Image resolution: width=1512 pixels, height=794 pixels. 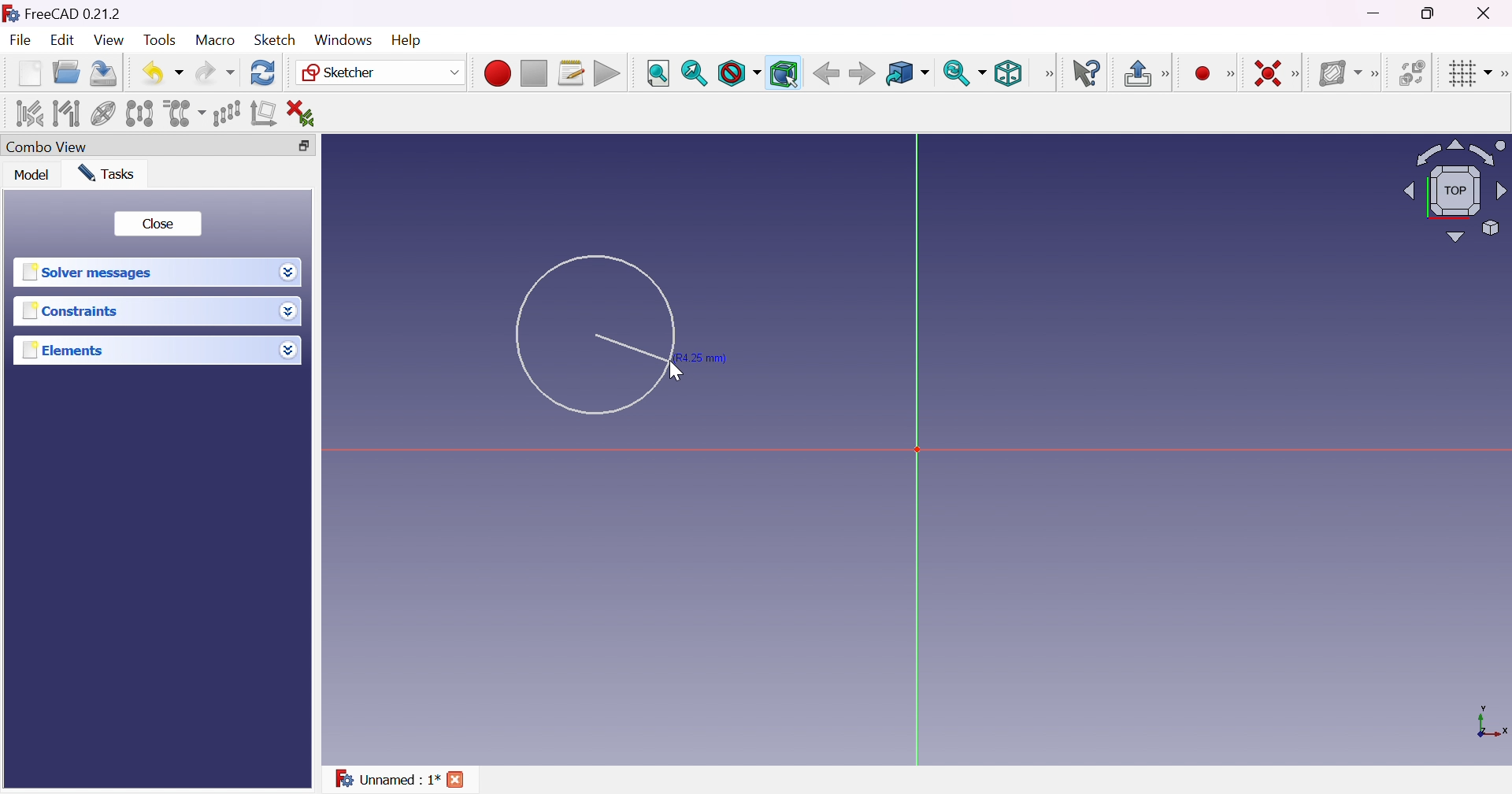 What do you see at coordinates (1503, 72) in the screenshot?
I see `[Sketcher edit tools]` at bounding box center [1503, 72].